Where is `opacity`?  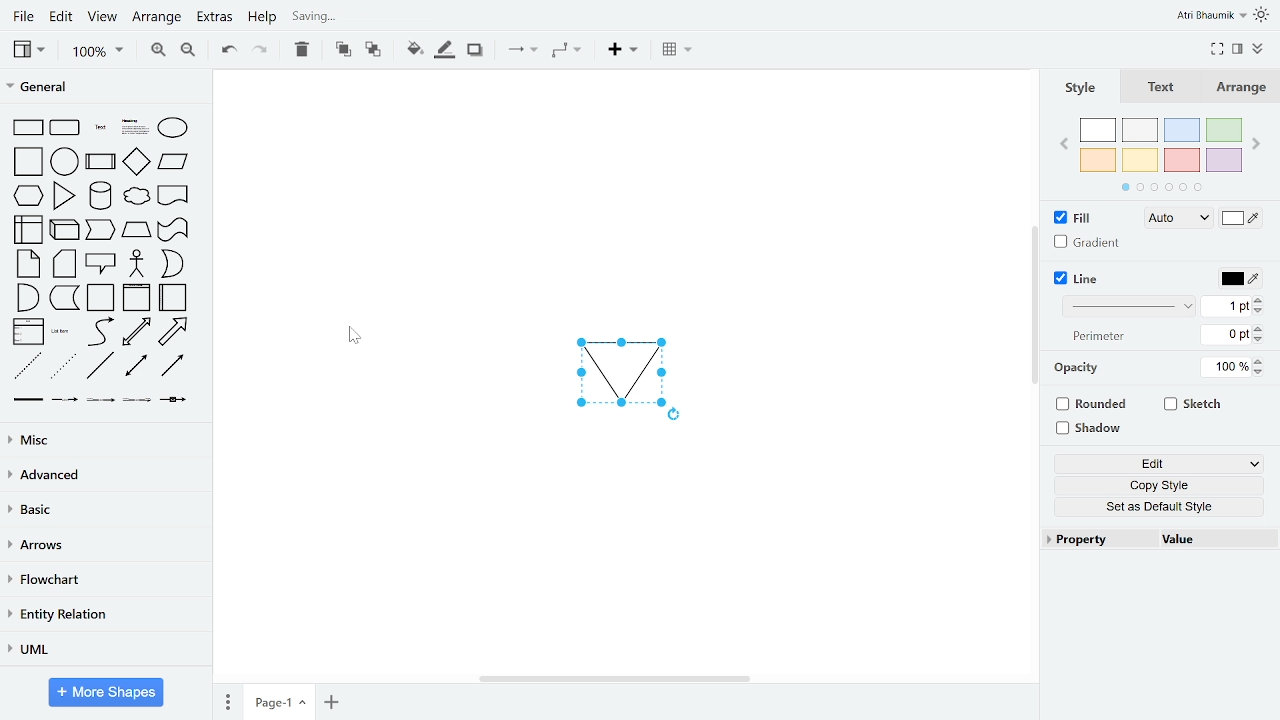
opacity is located at coordinates (1079, 368).